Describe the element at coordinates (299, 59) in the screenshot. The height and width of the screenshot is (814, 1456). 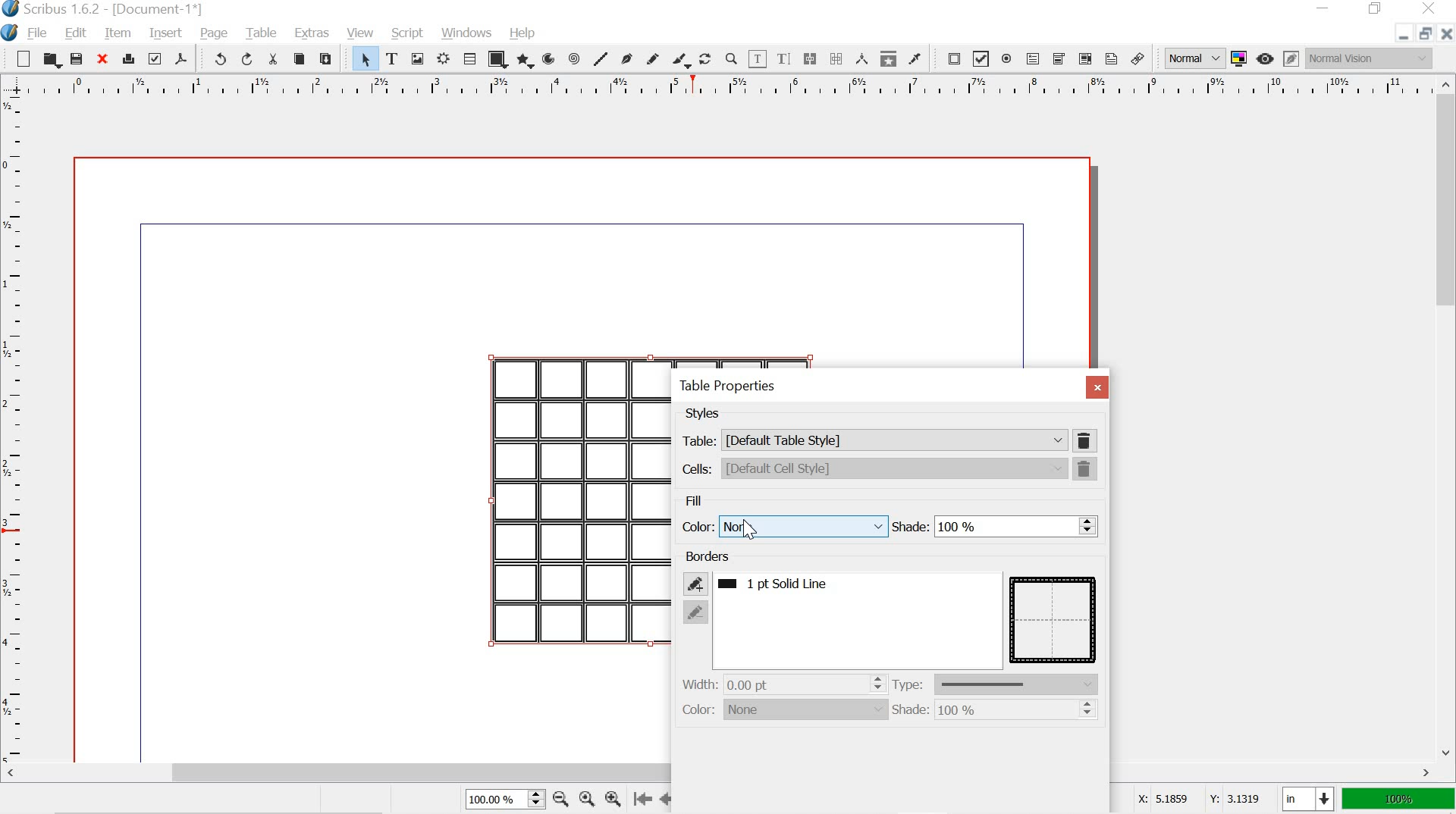
I see `copy` at that location.